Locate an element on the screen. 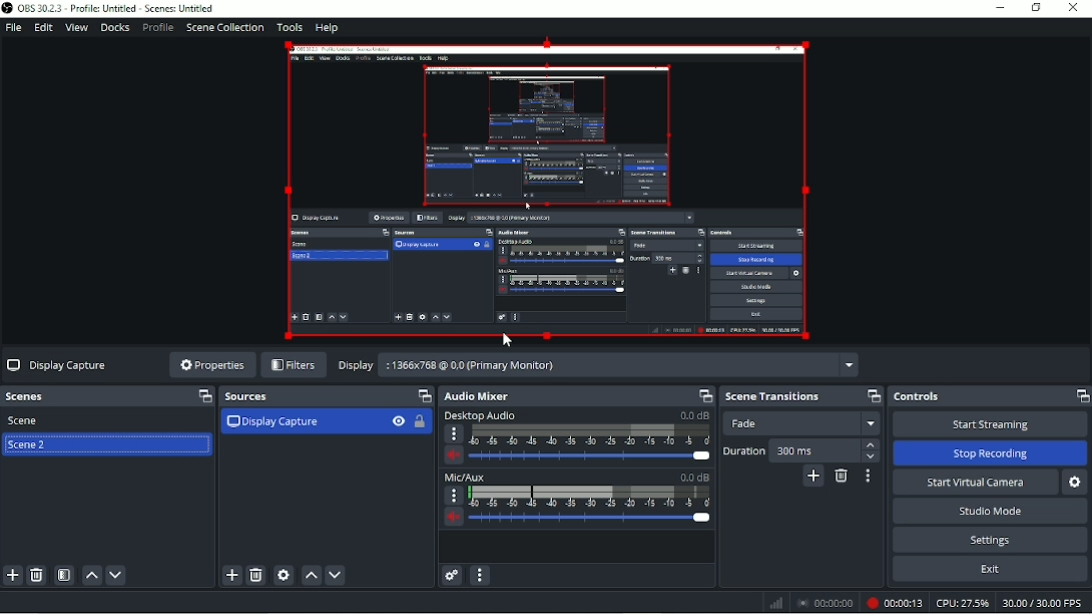 This screenshot has height=614, width=1092. Slider is located at coordinates (591, 457).